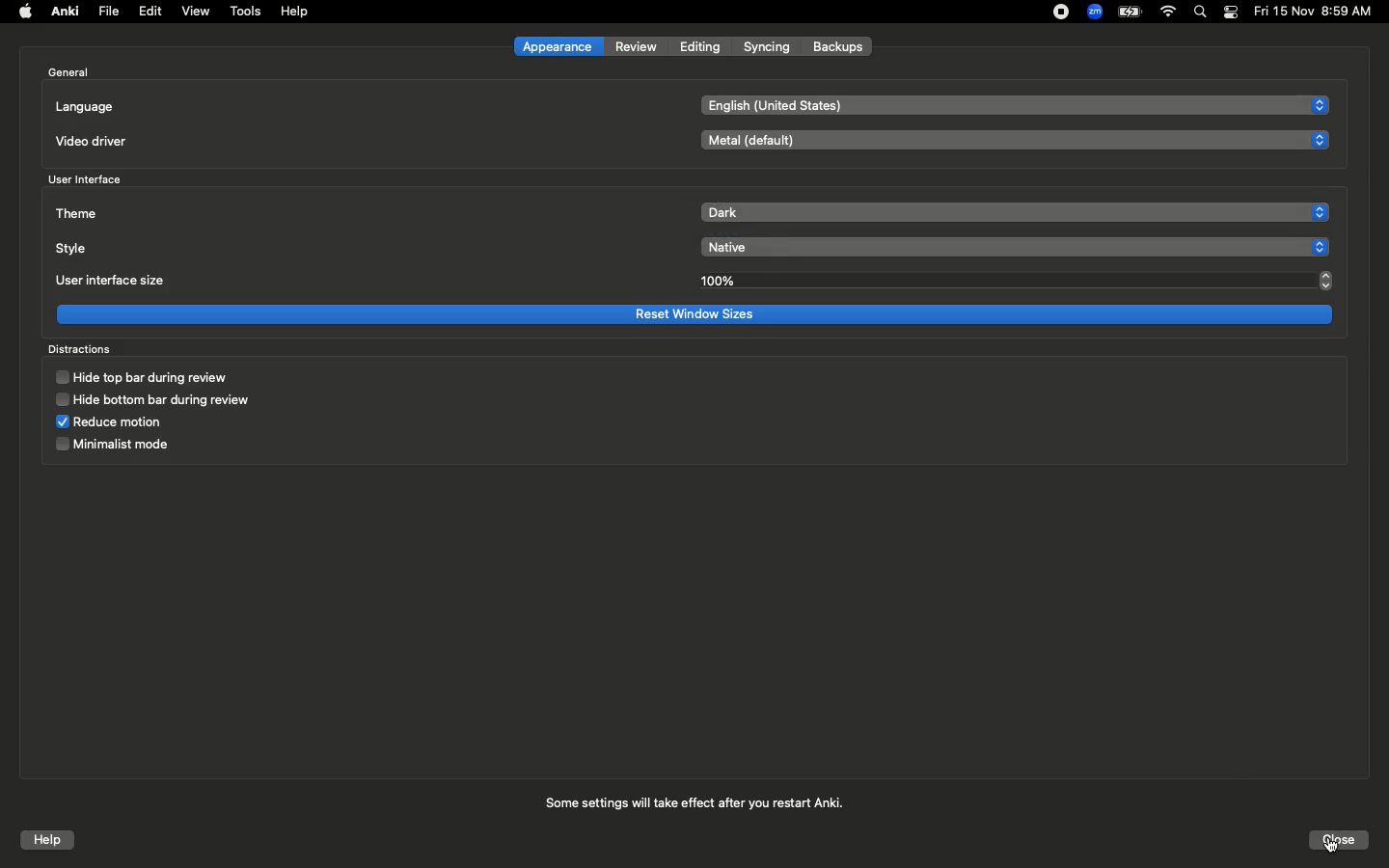 This screenshot has width=1389, height=868. What do you see at coordinates (142, 377) in the screenshot?
I see `Hide top bar during review` at bounding box center [142, 377].